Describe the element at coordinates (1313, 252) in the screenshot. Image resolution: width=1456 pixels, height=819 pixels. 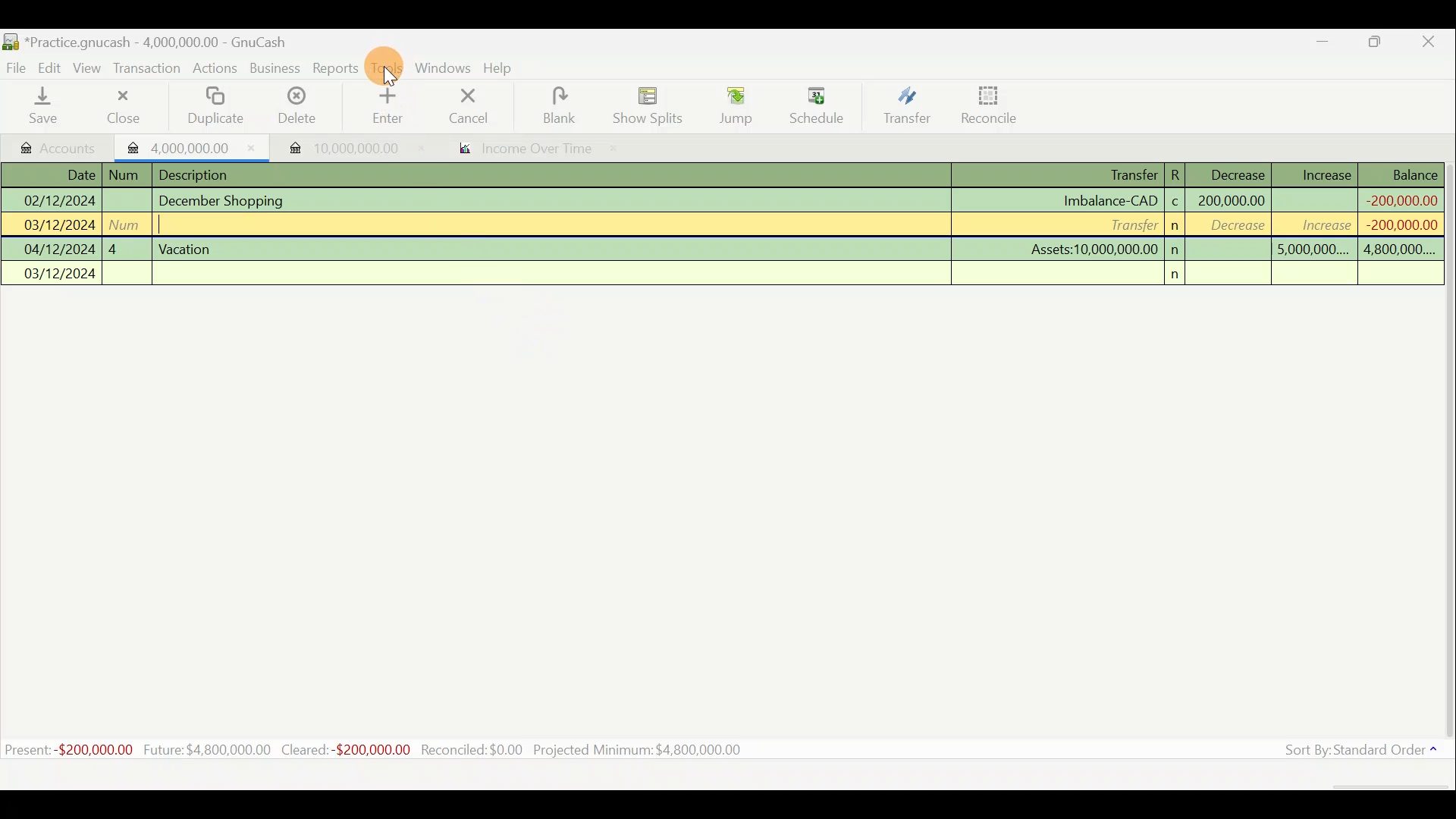
I see `5,000,000` at that location.